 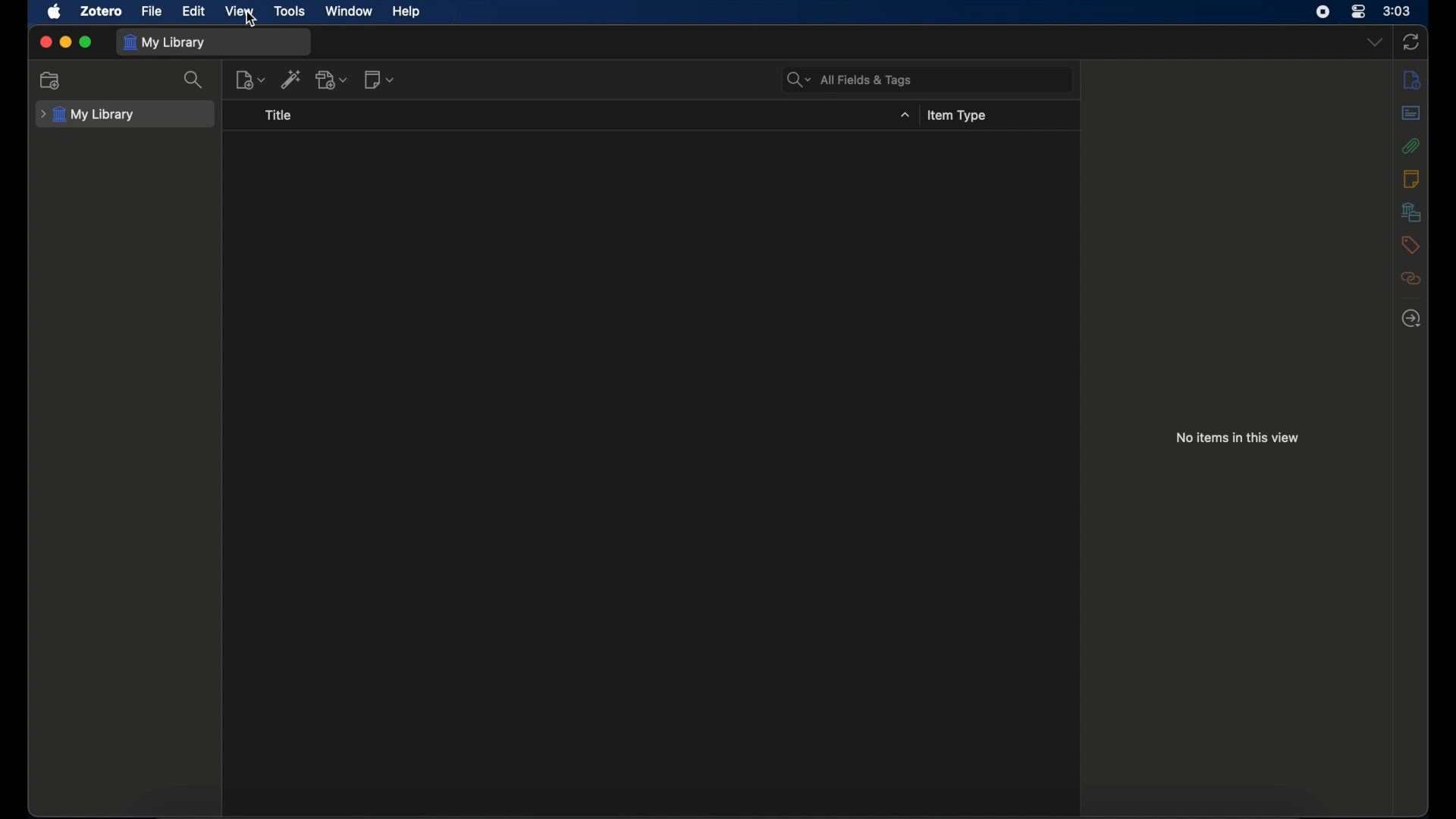 What do you see at coordinates (101, 11) in the screenshot?
I see `zotero` at bounding box center [101, 11].